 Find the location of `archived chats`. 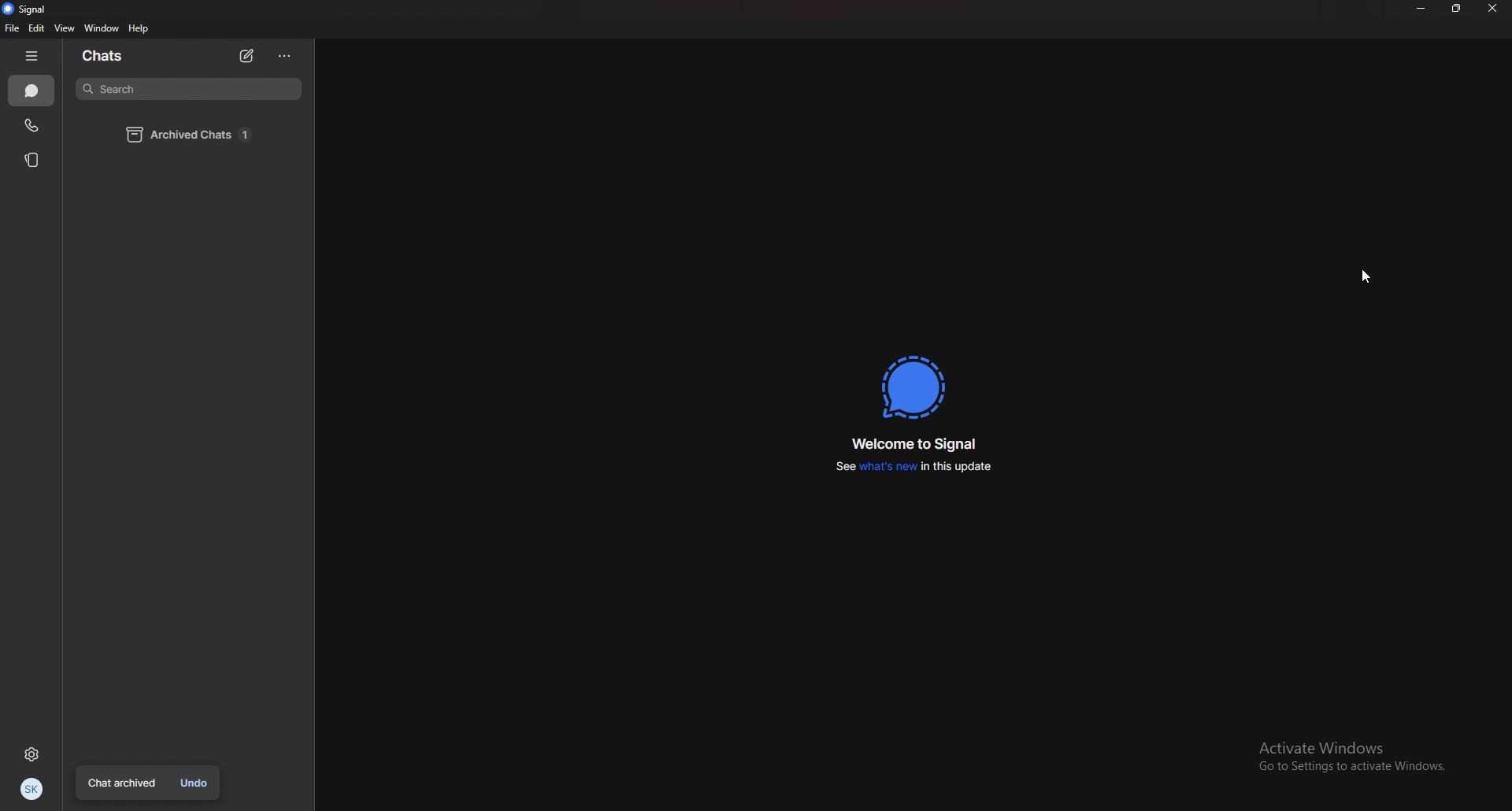

archived chats is located at coordinates (193, 135).